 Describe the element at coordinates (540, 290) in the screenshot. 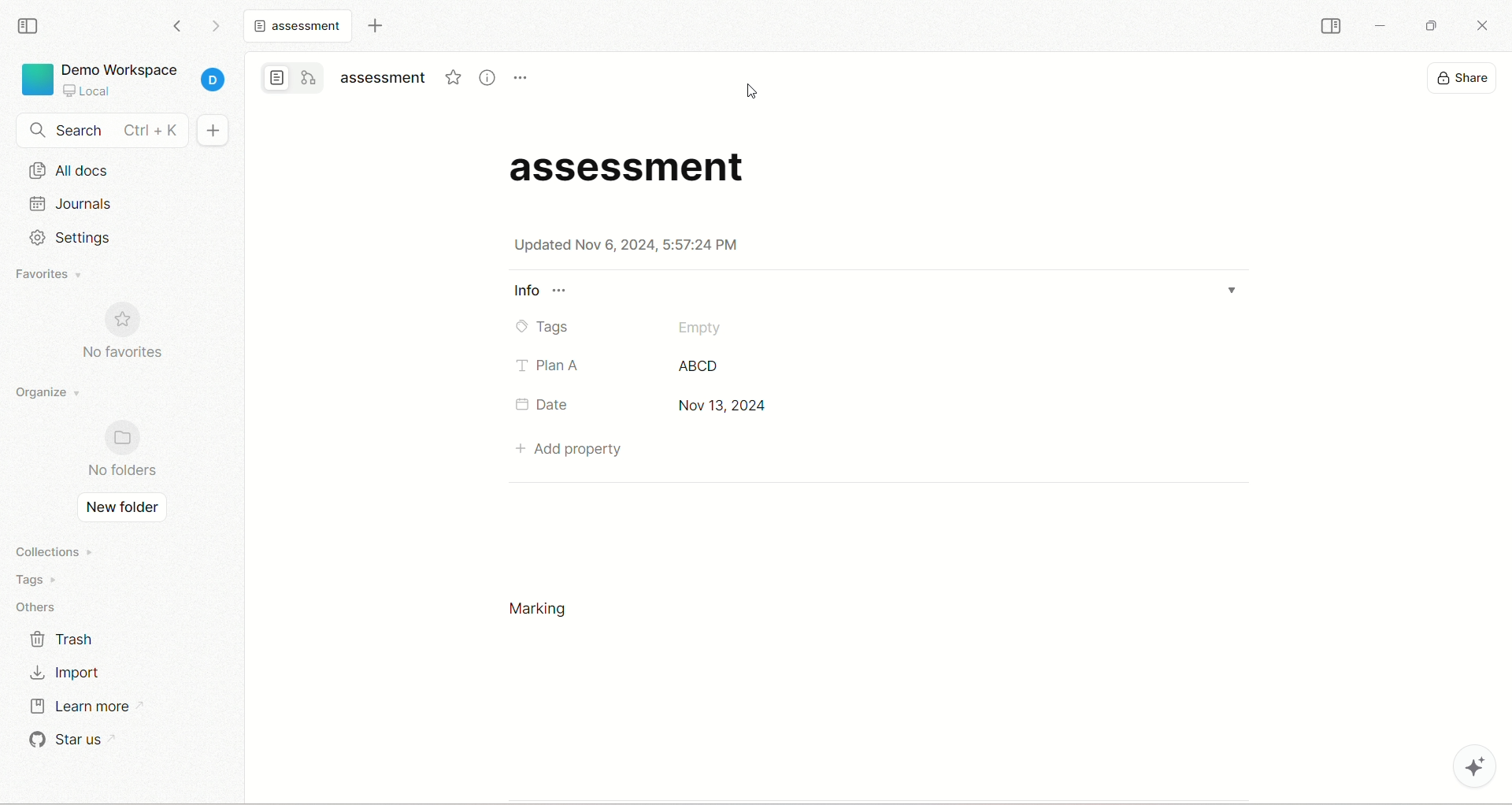

I see `info` at that location.